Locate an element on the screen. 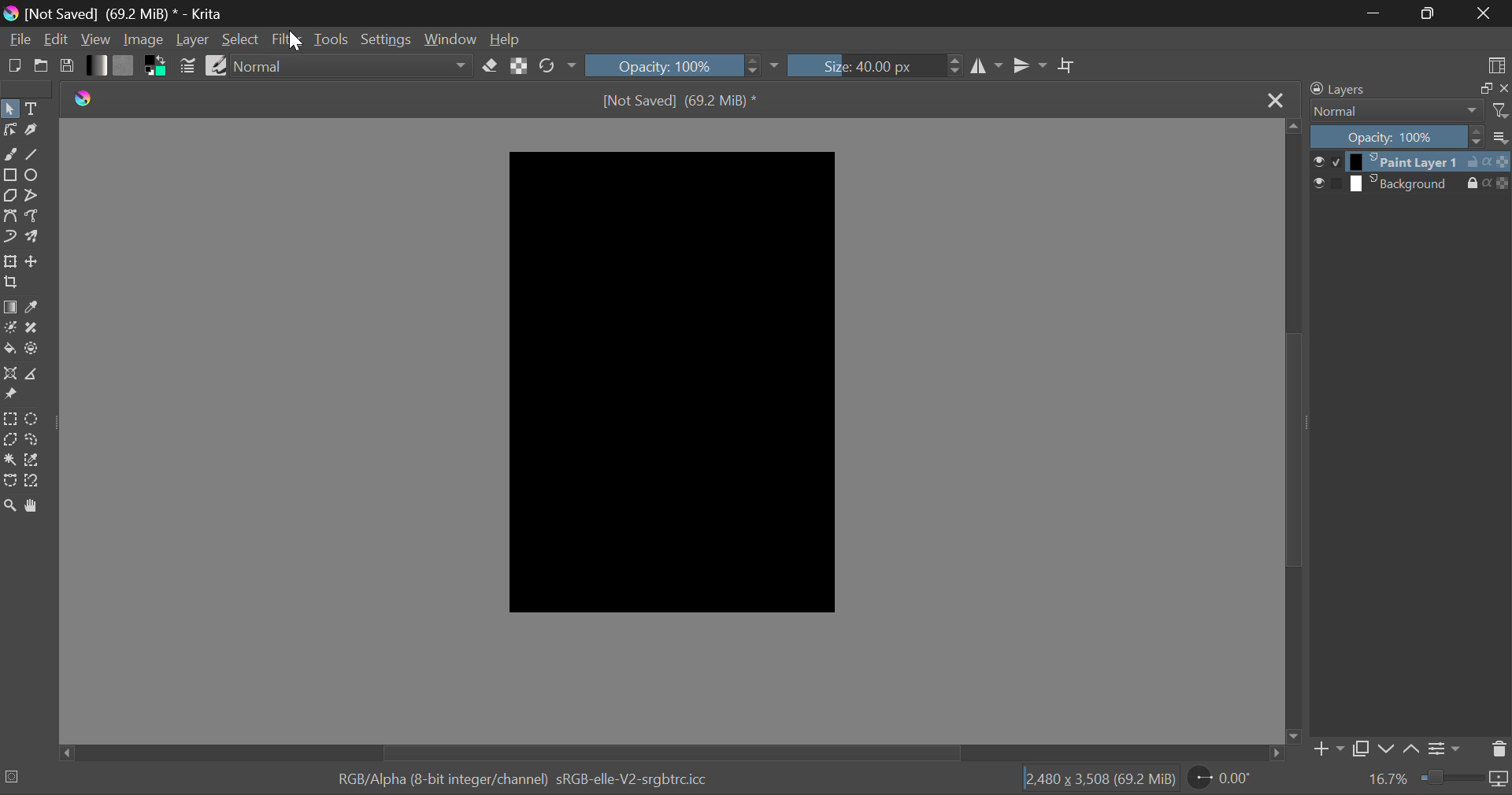  Scroll Bar is located at coordinates (661, 753).